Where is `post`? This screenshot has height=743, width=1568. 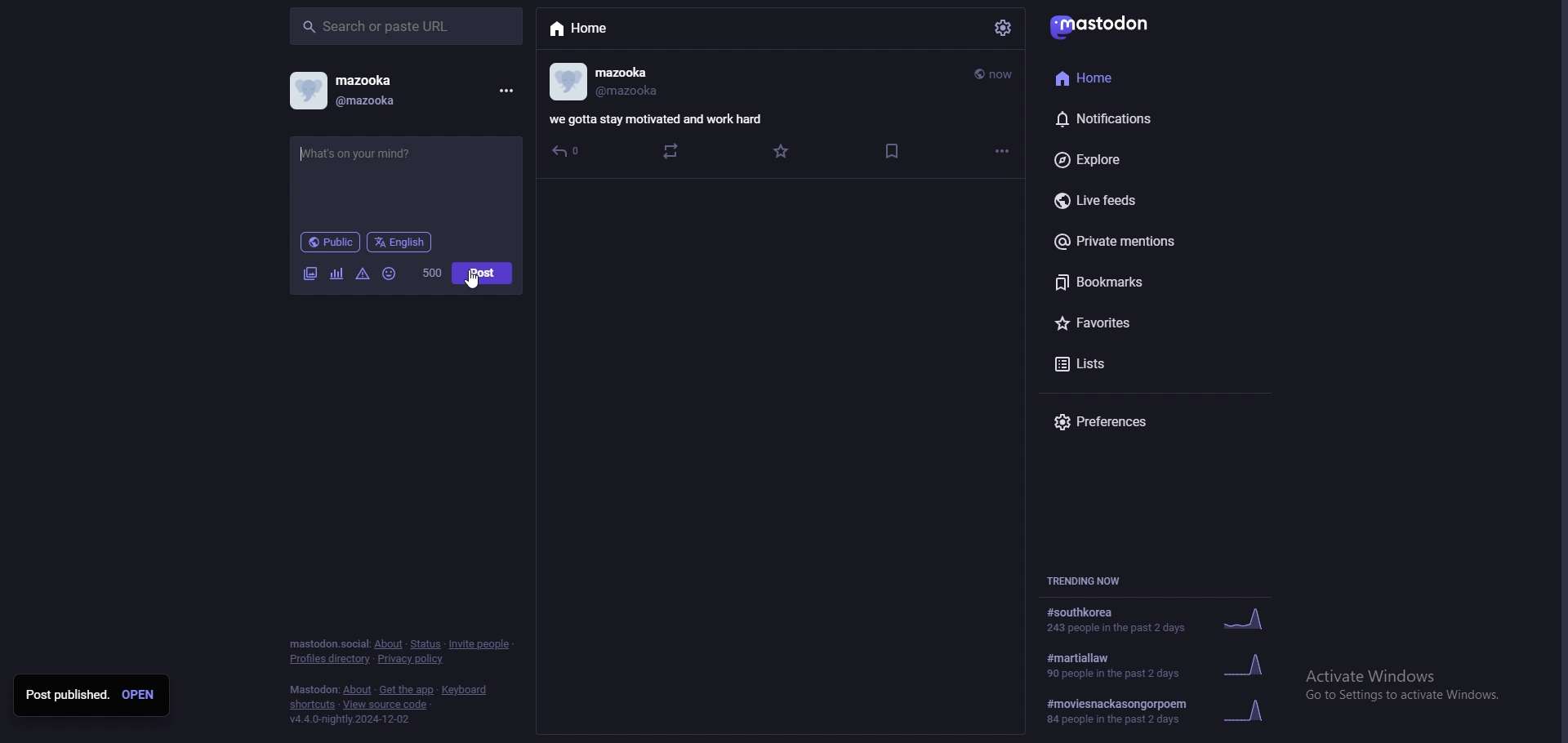 post is located at coordinates (483, 273).